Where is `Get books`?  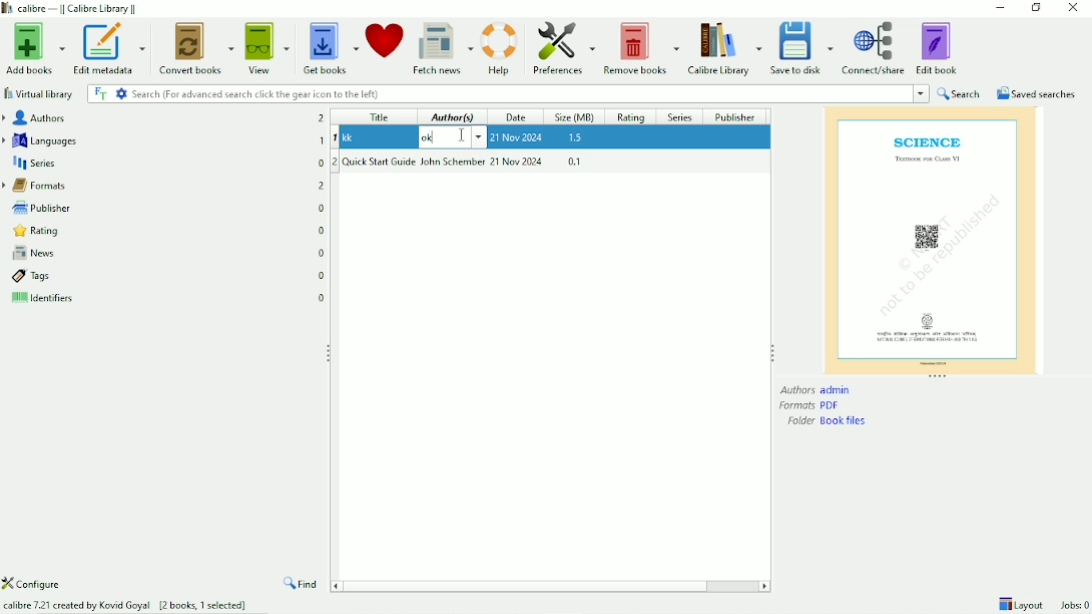 Get books is located at coordinates (329, 49).